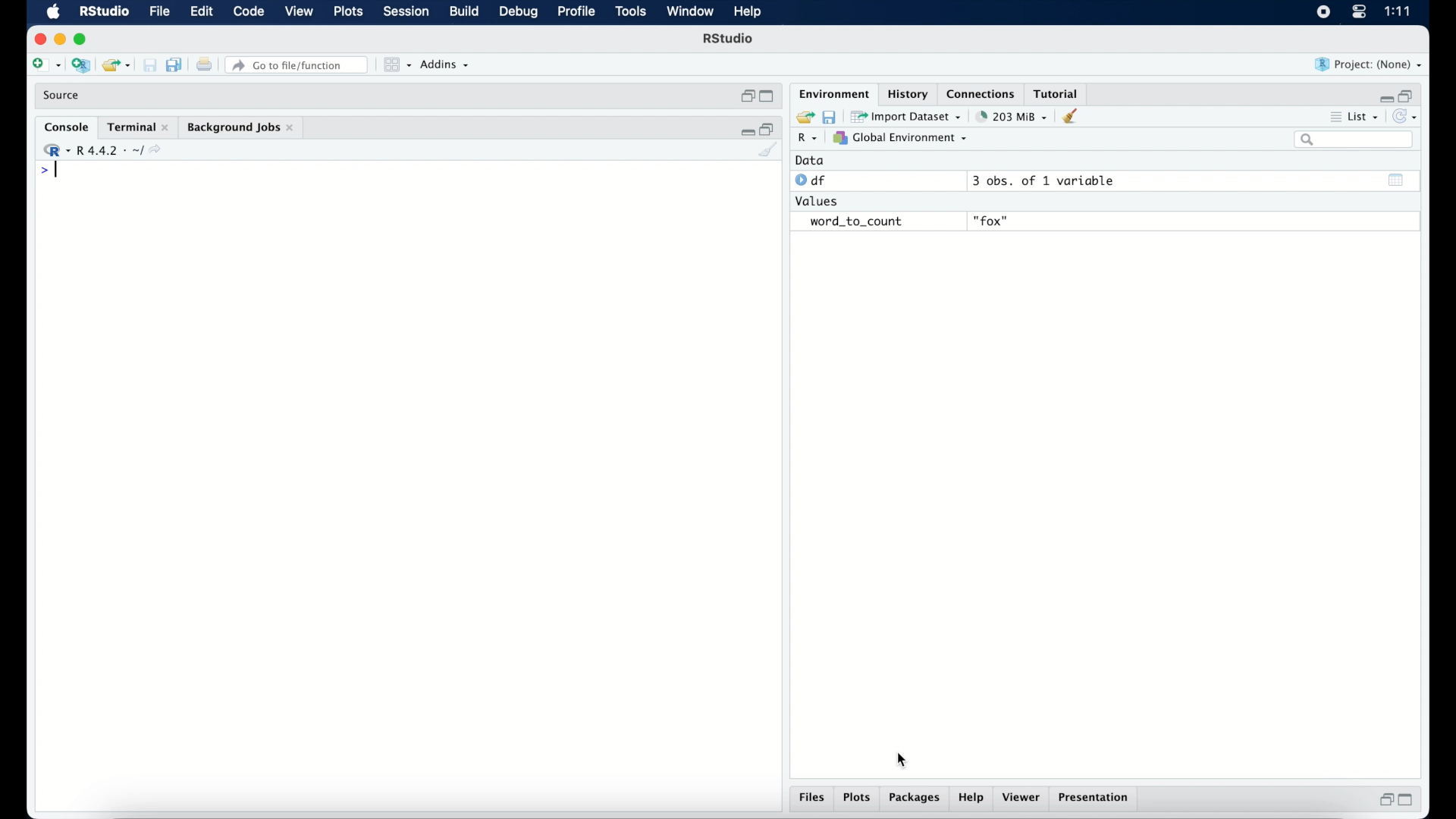 This screenshot has width=1456, height=819. I want to click on profile, so click(575, 12).